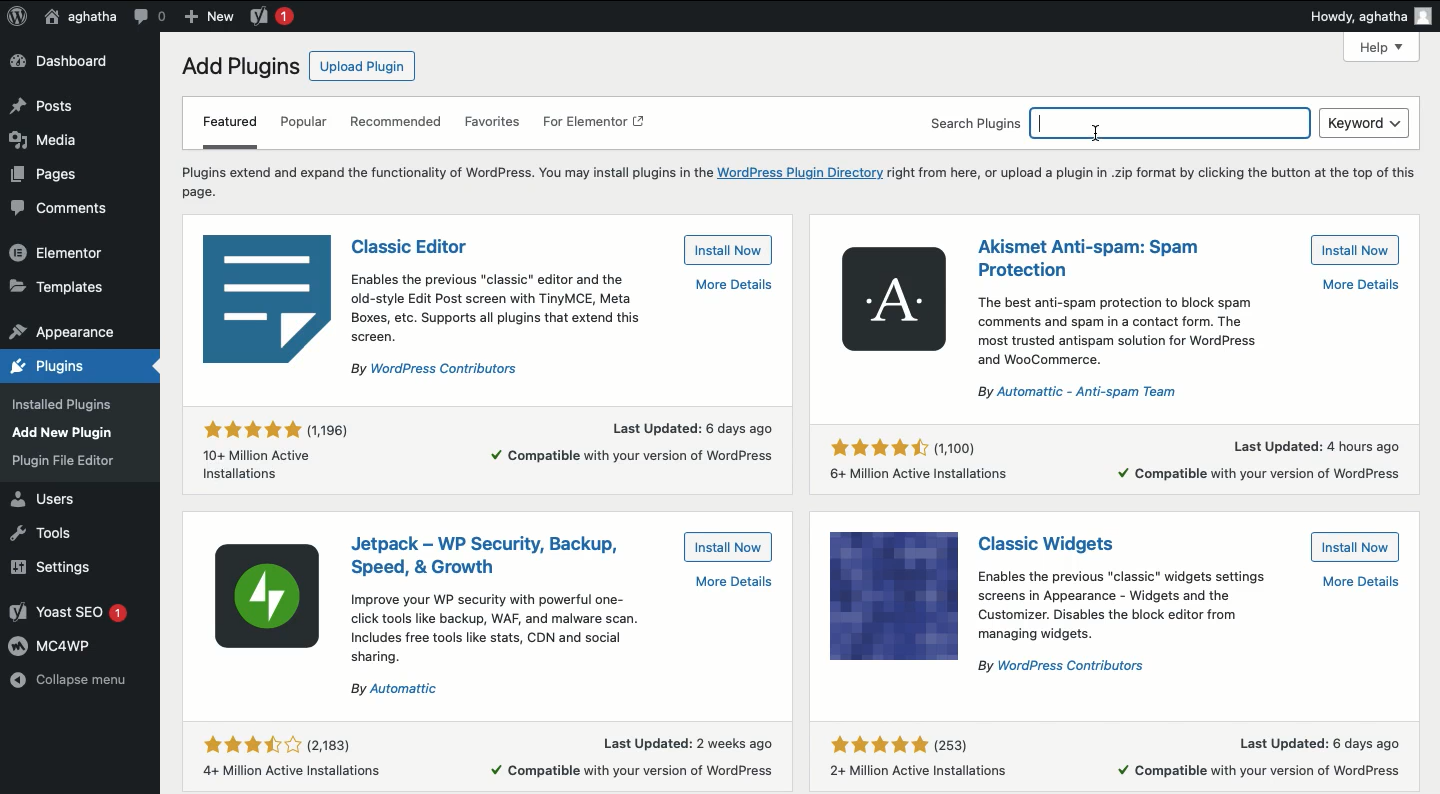 Image resolution: width=1440 pixels, height=794 pixels. What do you see at coordinates (1118, 750) in the screenshot?
I see `Hoke kok (263) Last Updated: 6 days ago
2+ Million Active Installations v Compatible with your version of WordPress` at bounding box center [1118, 750].